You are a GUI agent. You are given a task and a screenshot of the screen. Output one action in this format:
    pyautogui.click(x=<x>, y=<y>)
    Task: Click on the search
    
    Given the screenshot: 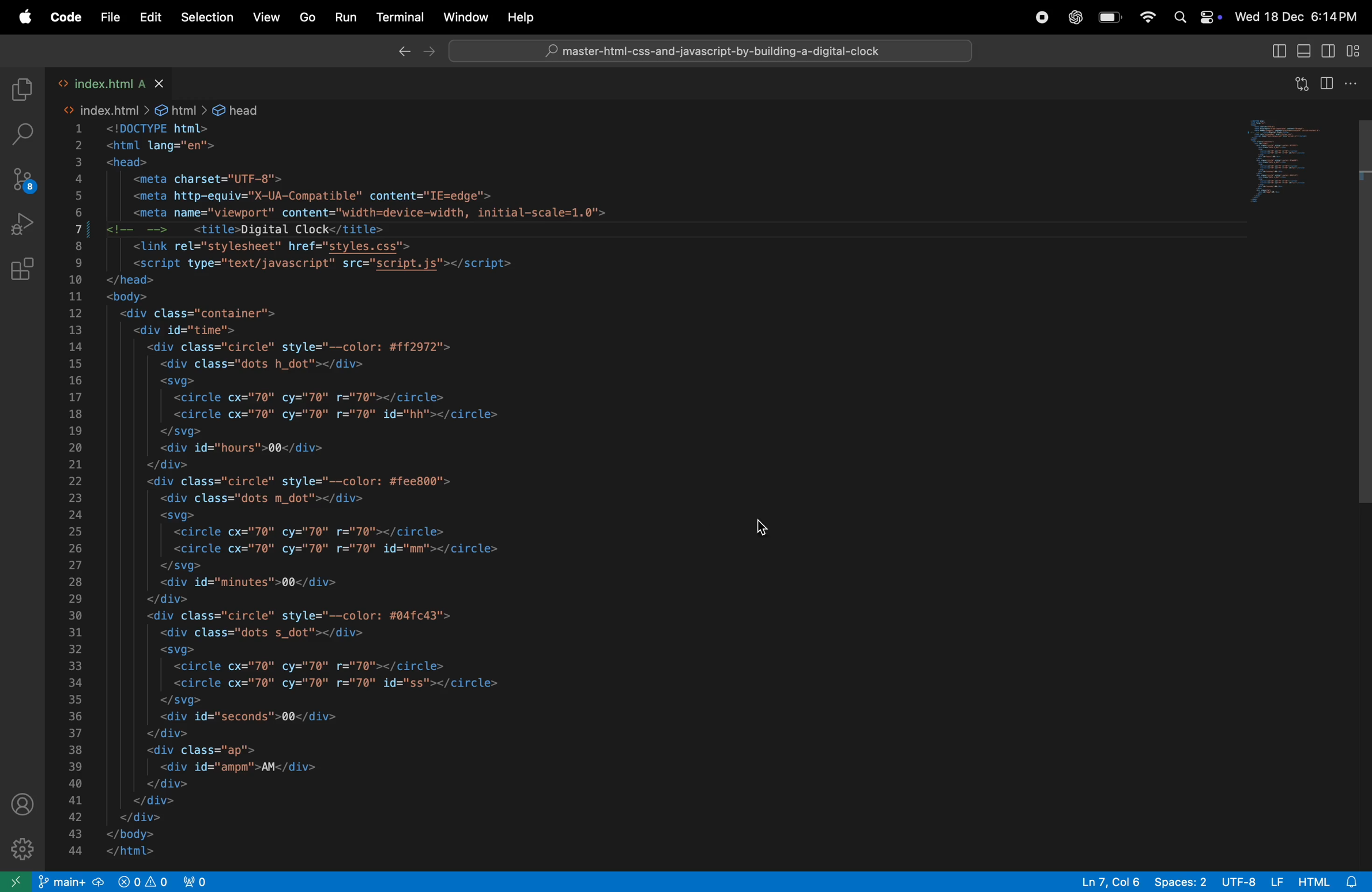 What is the action you would take?
    pyautogui.click(x=27, y=135)
    